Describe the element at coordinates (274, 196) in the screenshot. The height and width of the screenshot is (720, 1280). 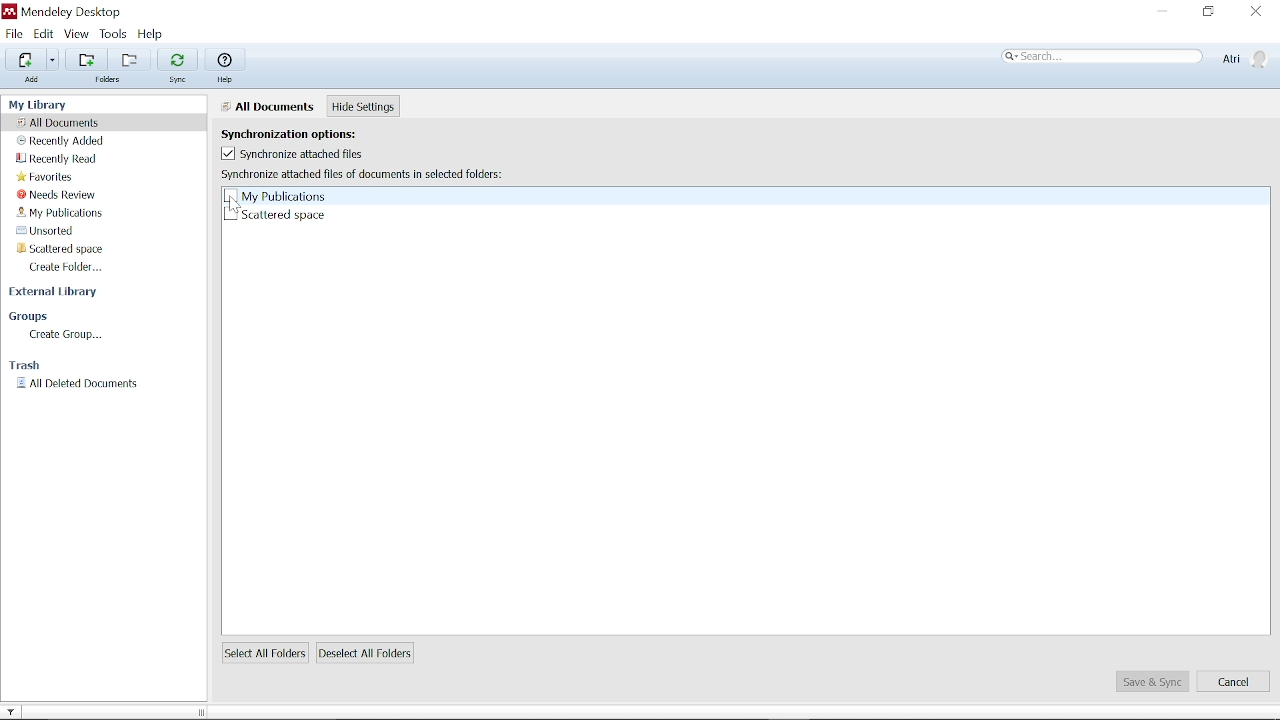
I see `Folder name "My publications"` at that location.